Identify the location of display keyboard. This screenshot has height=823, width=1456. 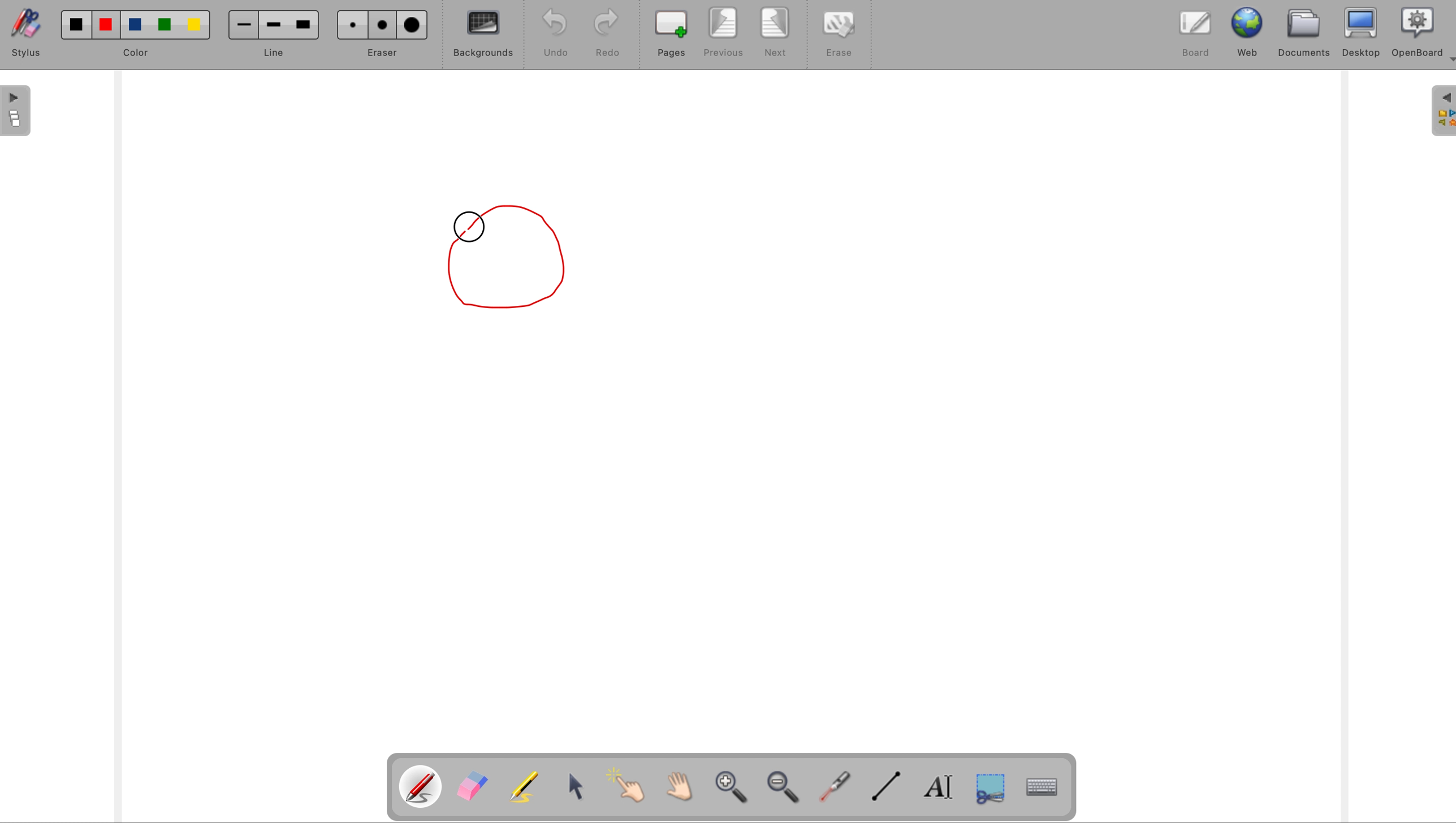
(1046, 789).